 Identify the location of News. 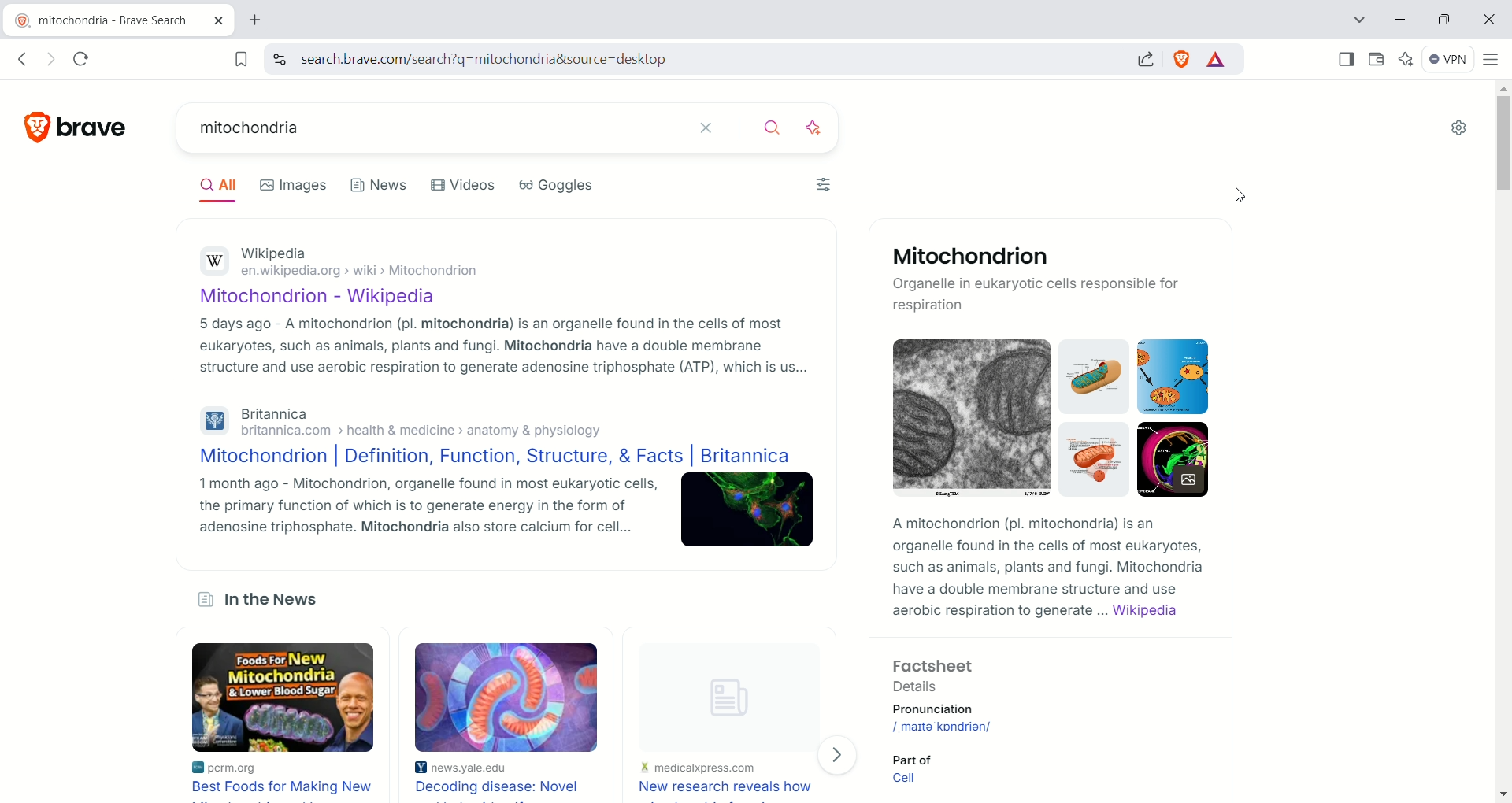
(379, 185).